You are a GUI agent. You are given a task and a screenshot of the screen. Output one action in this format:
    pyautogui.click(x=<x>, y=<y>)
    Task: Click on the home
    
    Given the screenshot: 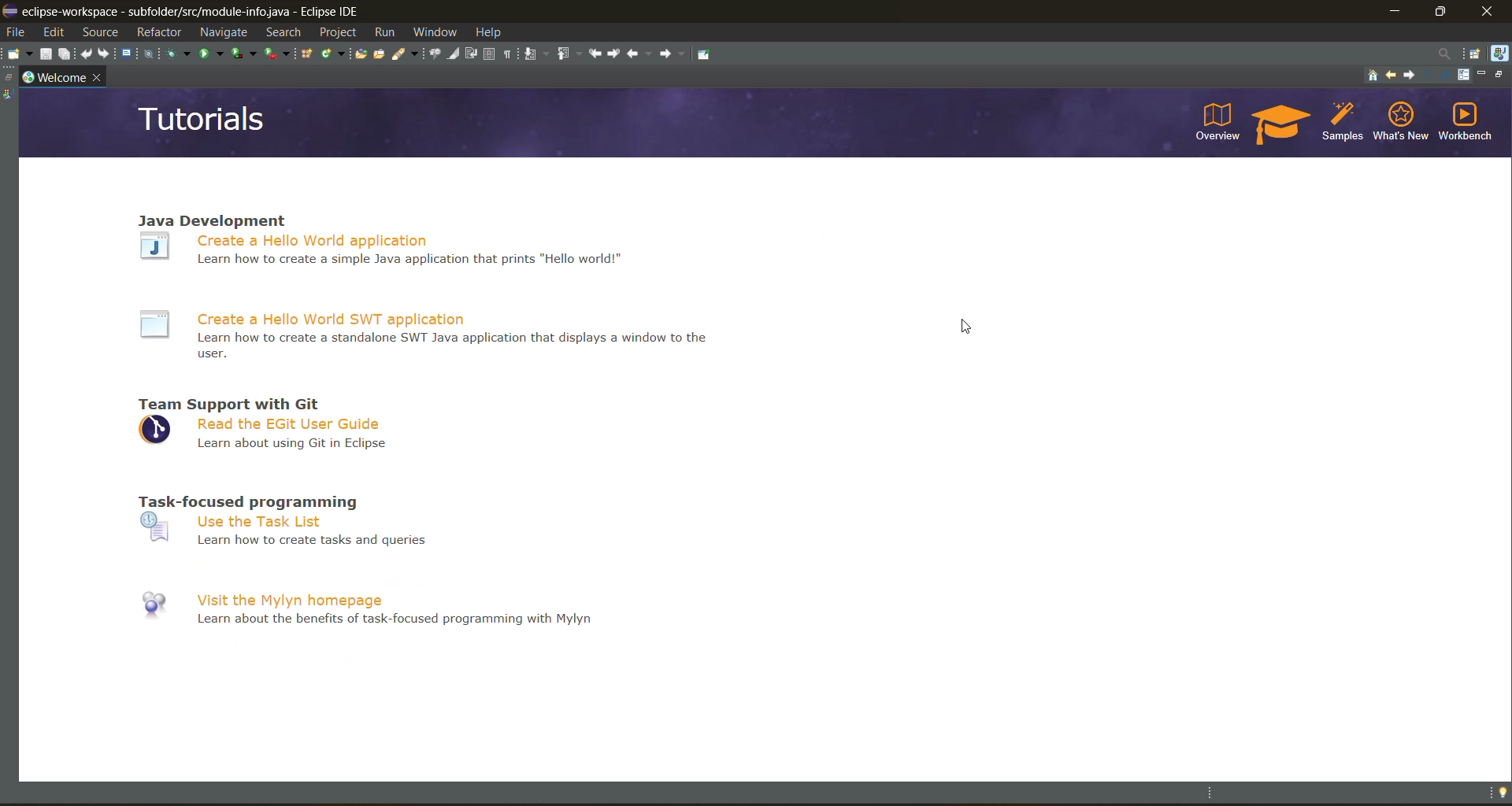 What is the action you would take?
    pyautogui.click(x=1373, y=76)
    